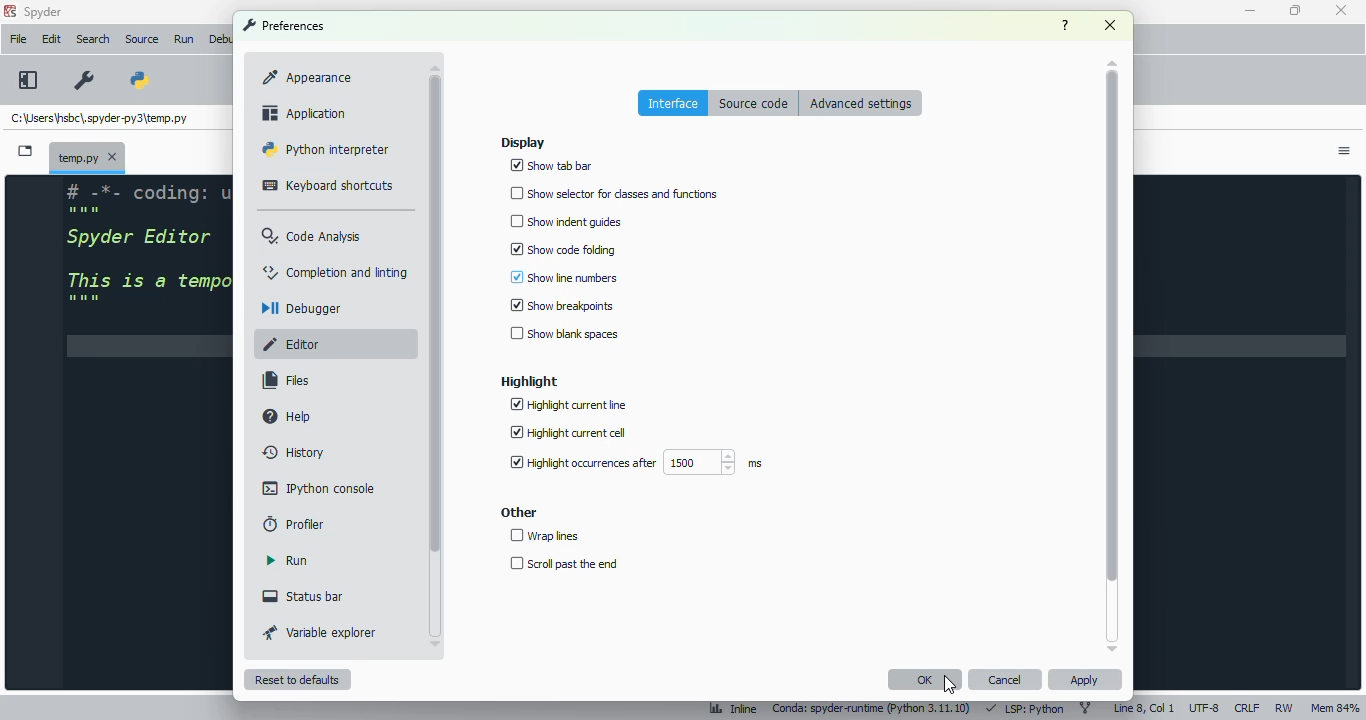 This screenshot has height=720, width=1366. Describe the element at coordinates (301, 344) in the screenshot. I see `editor` at that location.